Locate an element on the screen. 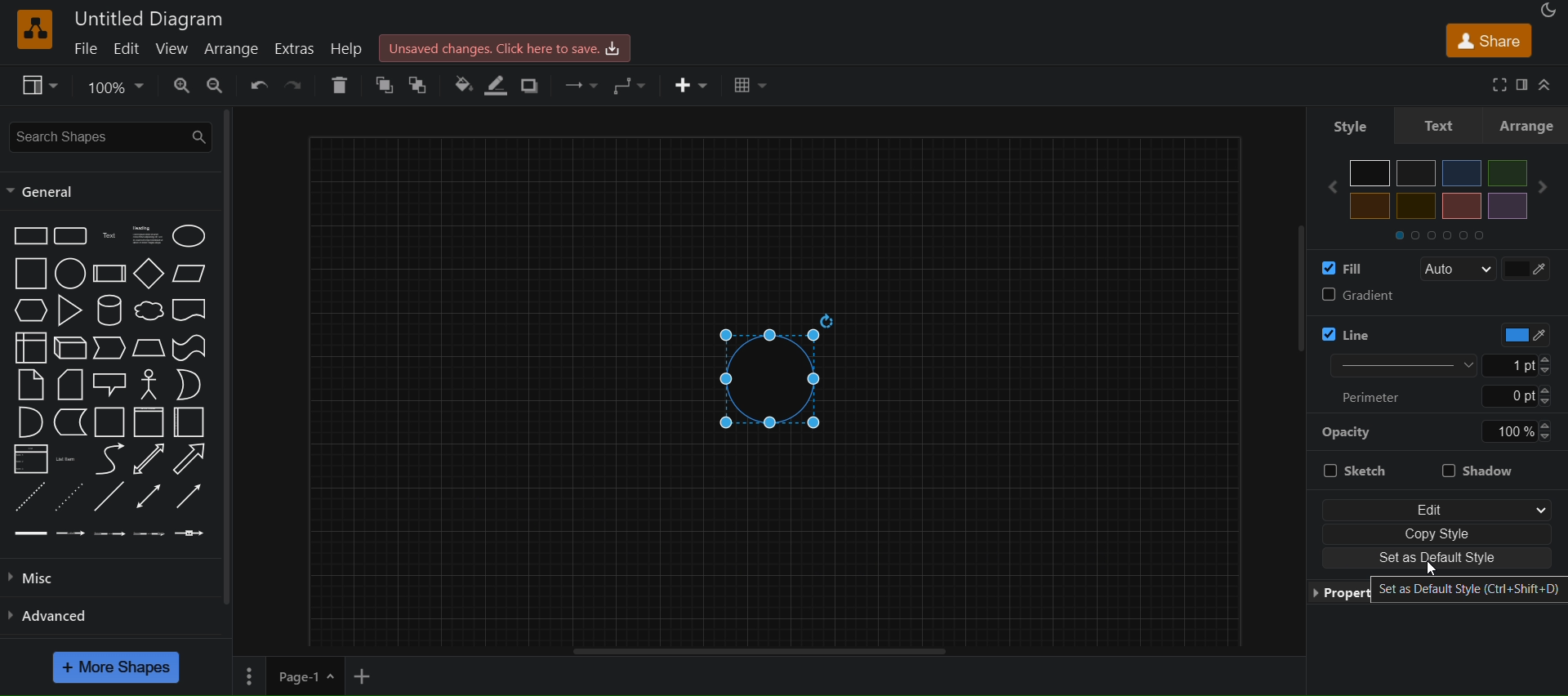 This screenshot has height=696, width=1568. format is located at coordinates (1524, 85).